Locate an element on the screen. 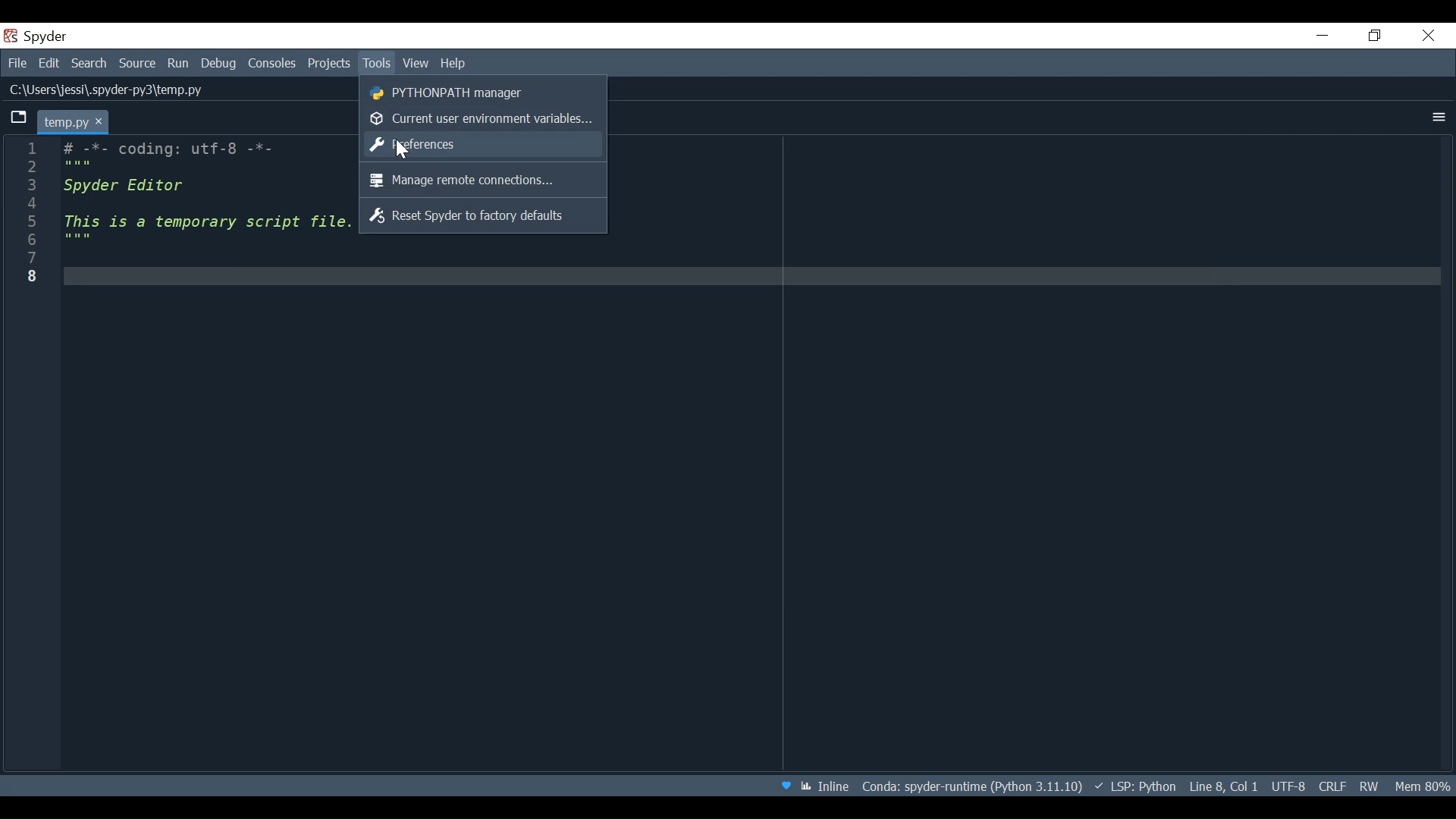 This screenshot has width=1456, height=819. File EQL Stat is located at coordinates (1332, 785).